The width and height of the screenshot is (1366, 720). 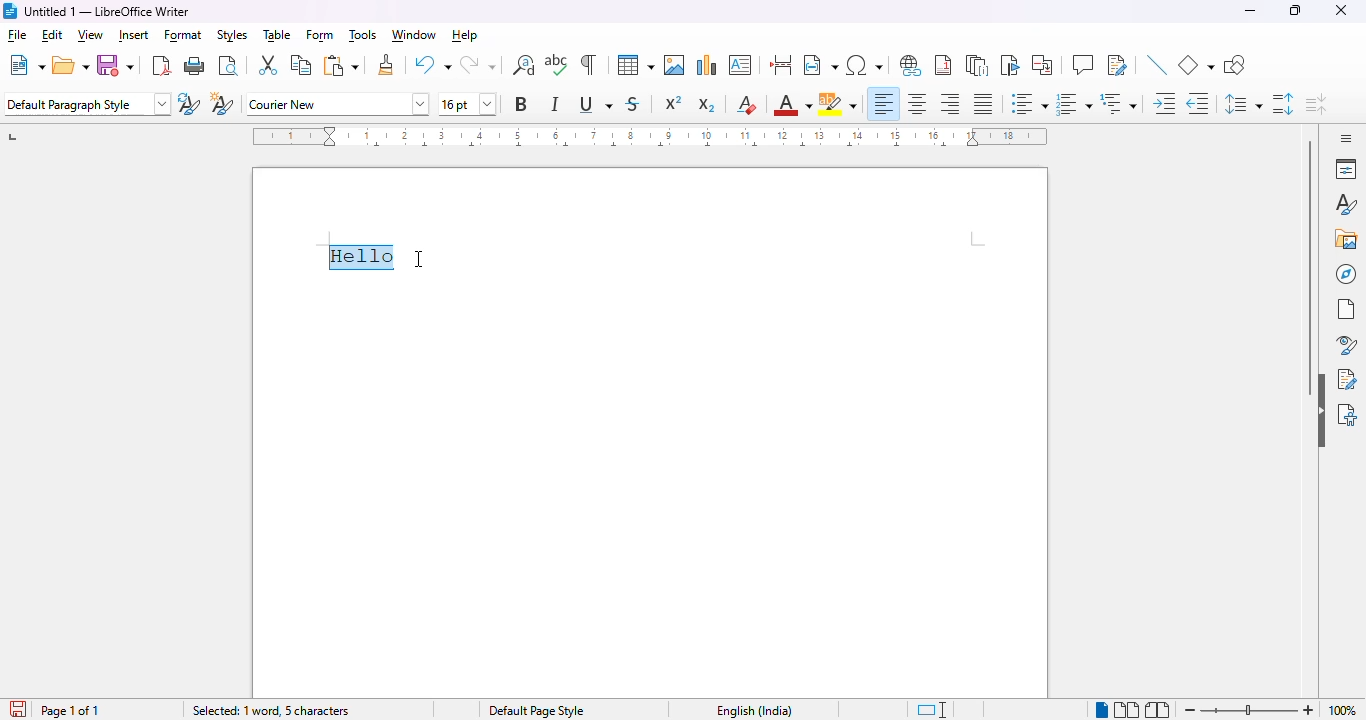 I want to click on save, so click(x=16, y=708).